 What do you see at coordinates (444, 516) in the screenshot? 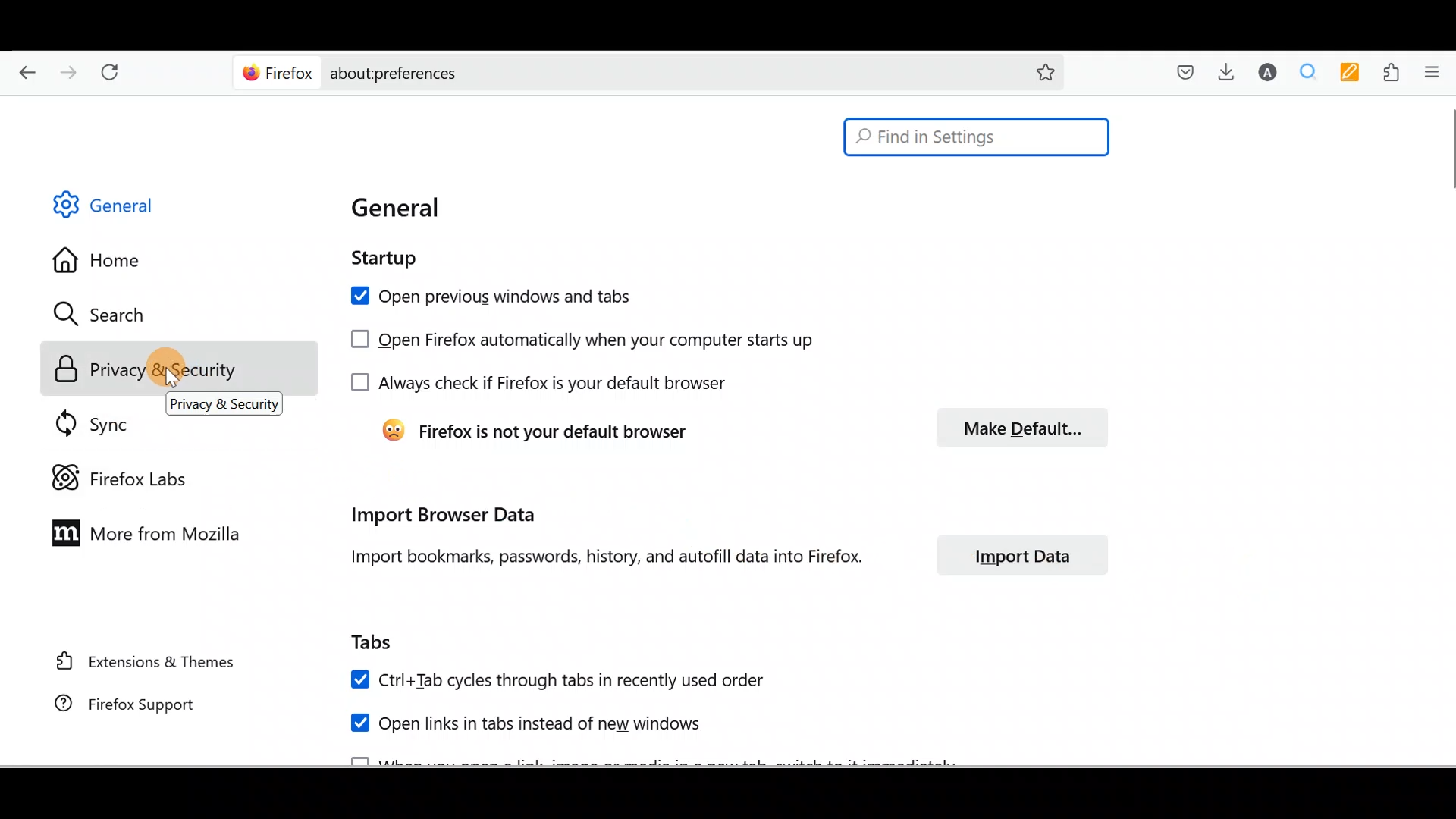
I see `Import browser data` at bounding box center [444, 516].